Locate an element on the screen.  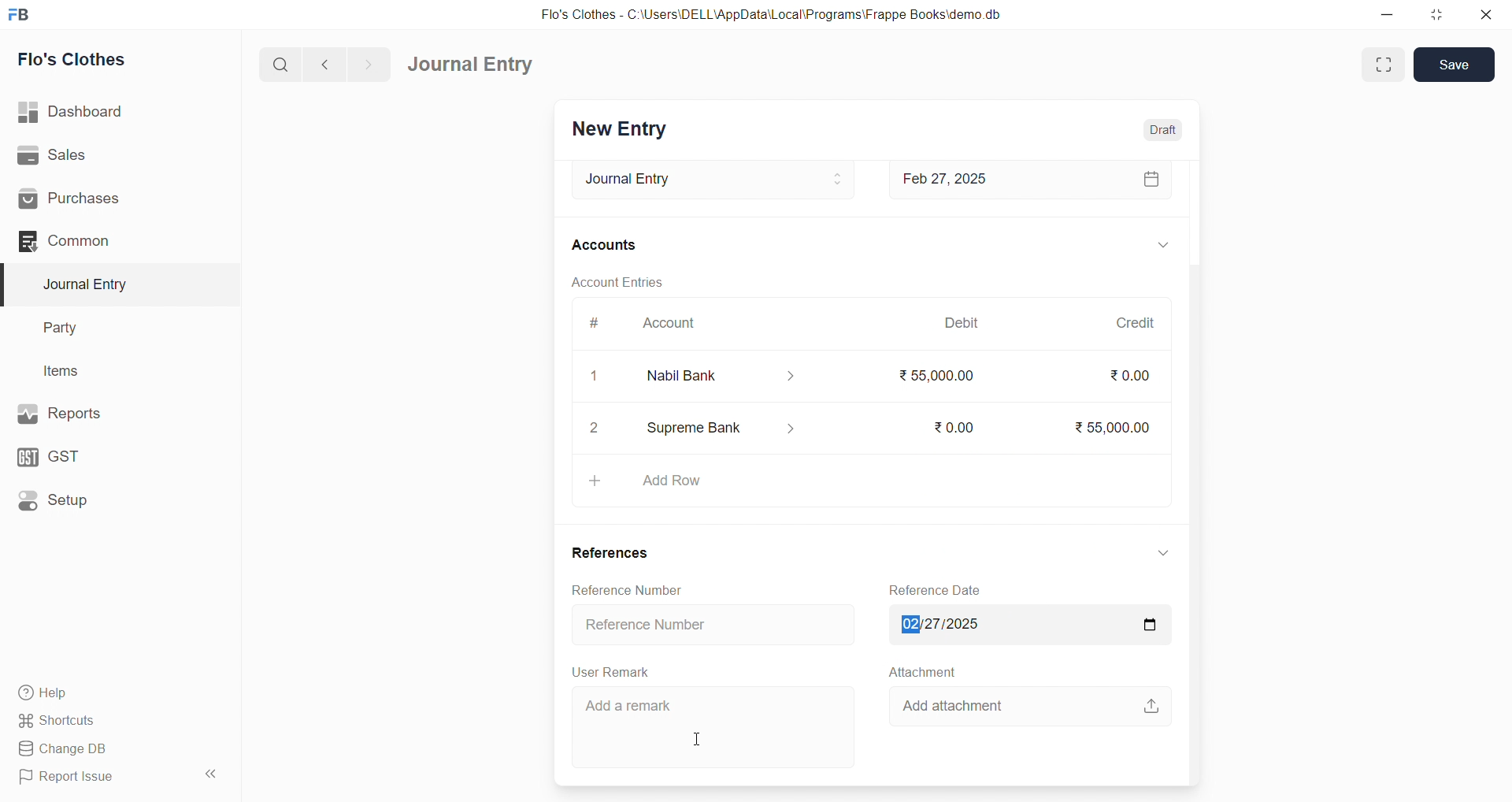
navigate backward is located at coordinates (327, 65).